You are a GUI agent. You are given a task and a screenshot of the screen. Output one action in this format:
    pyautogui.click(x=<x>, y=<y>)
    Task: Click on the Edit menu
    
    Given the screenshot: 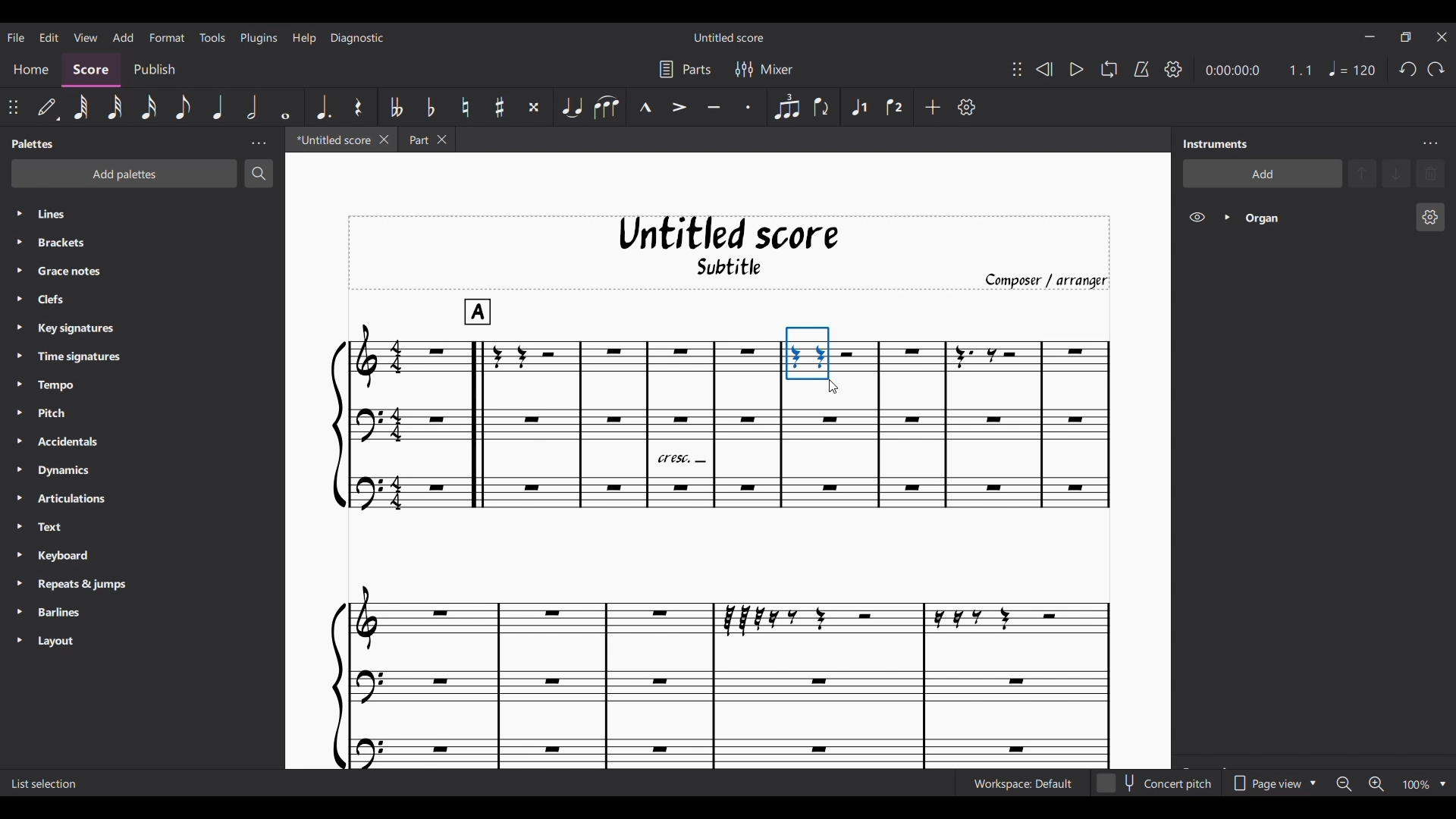 What is the action you would take?
    pyautogui.click(x=49, y=36)
    